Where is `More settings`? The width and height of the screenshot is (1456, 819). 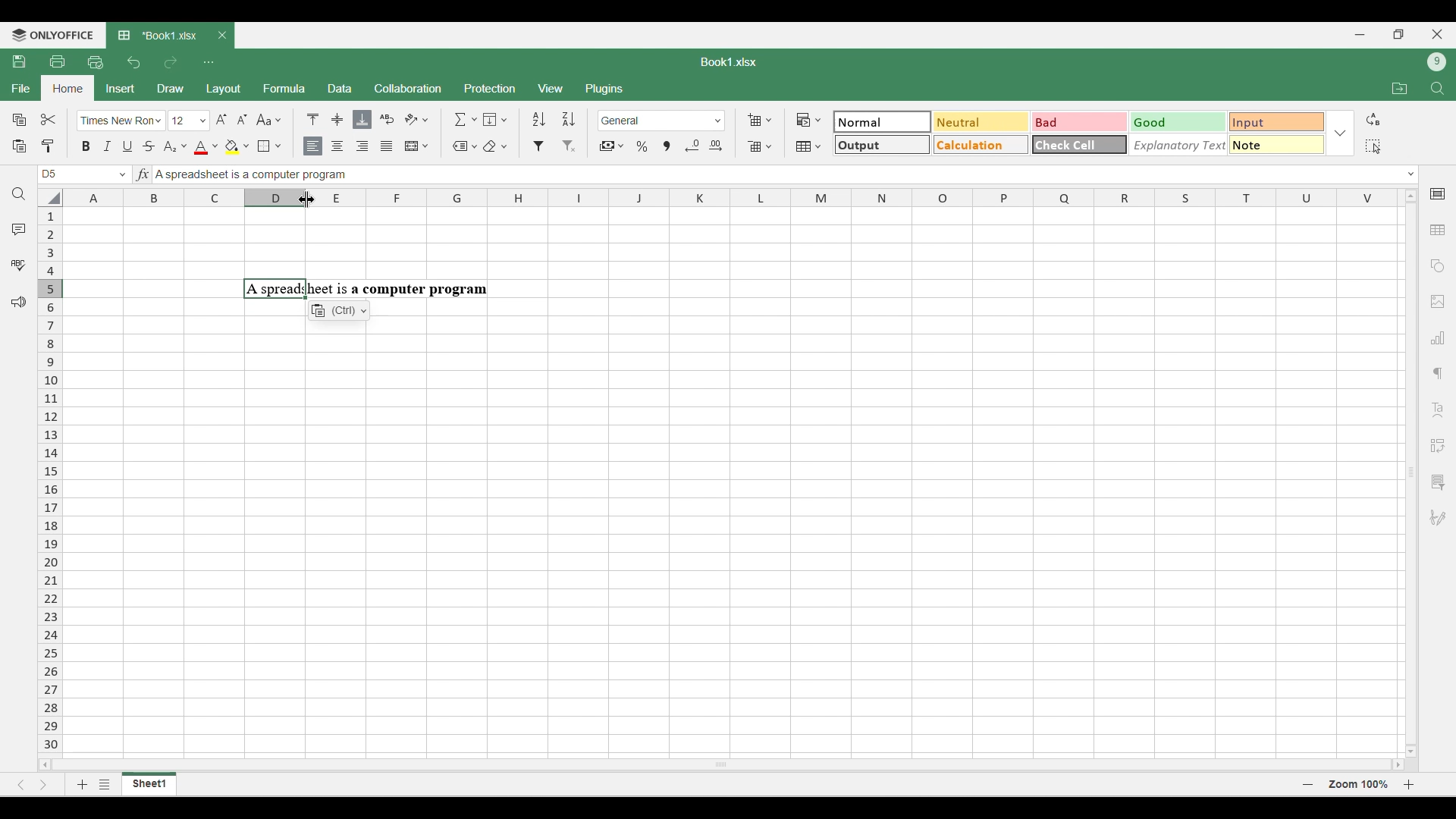 More settings is located at coordinates (1437, 482).